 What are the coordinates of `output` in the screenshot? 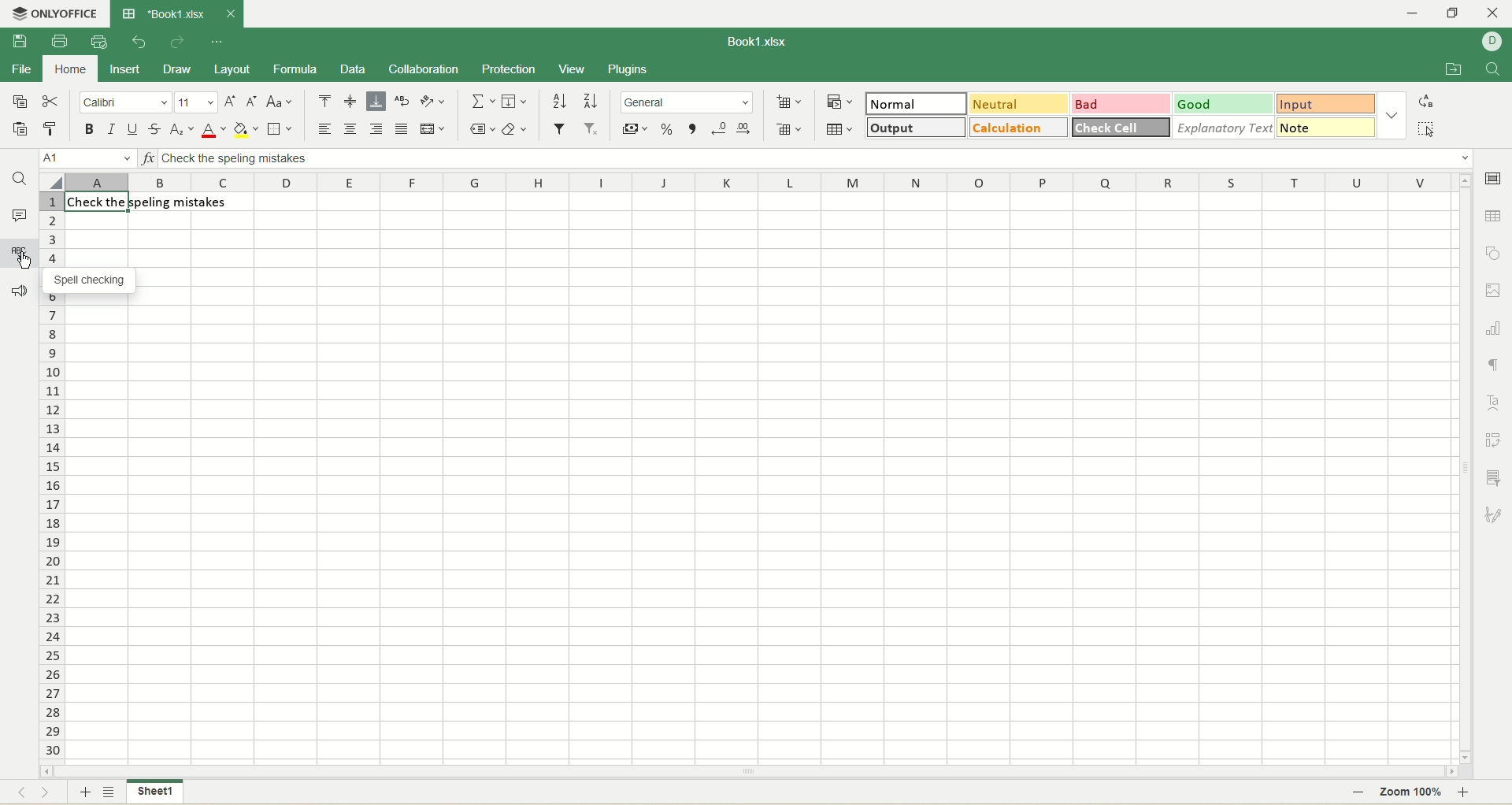 It's located at (914, 128).